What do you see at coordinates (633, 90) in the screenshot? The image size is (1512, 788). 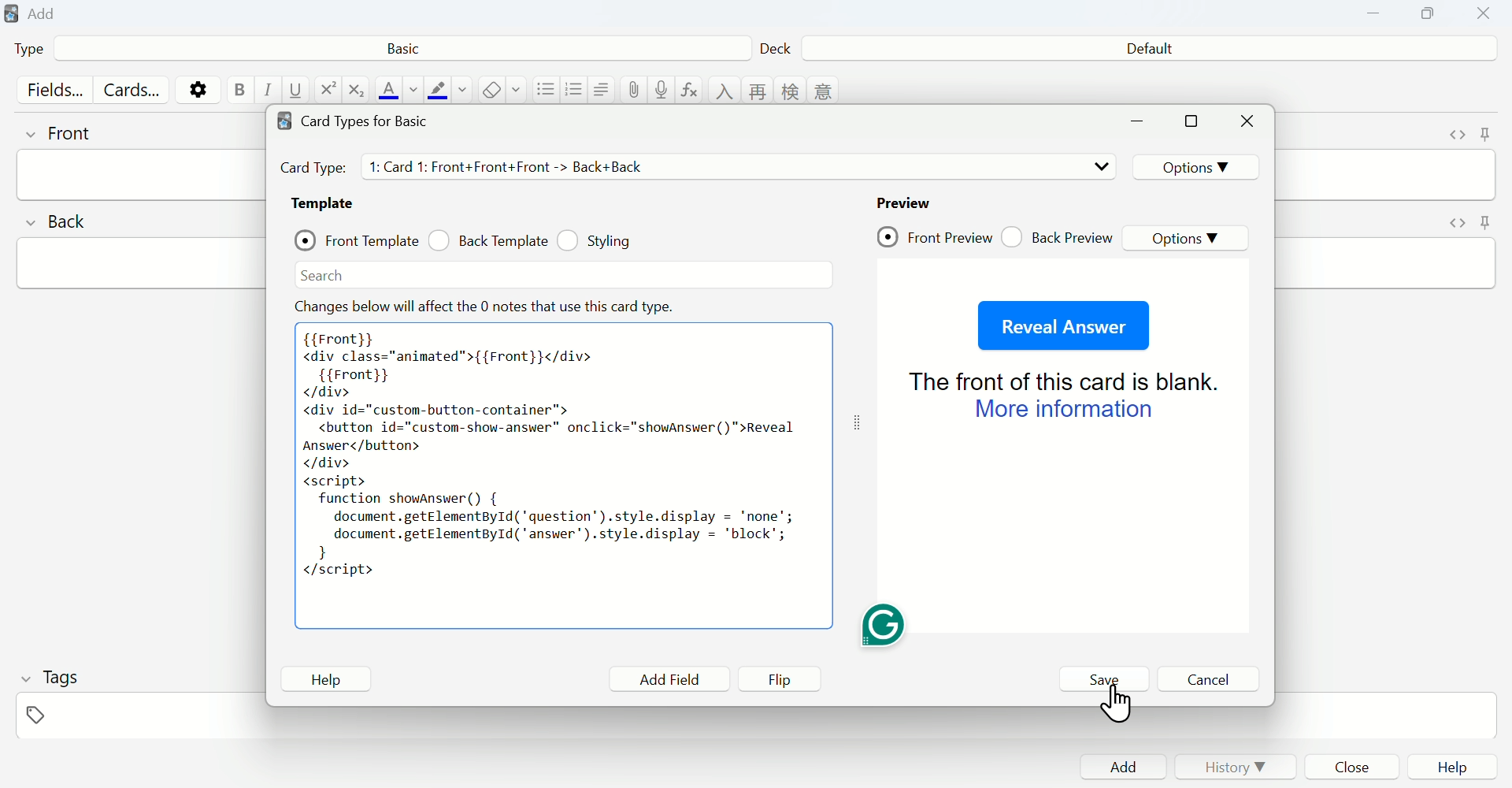 I see `attach pictures/audio/video` at bounding box center [633, 90].